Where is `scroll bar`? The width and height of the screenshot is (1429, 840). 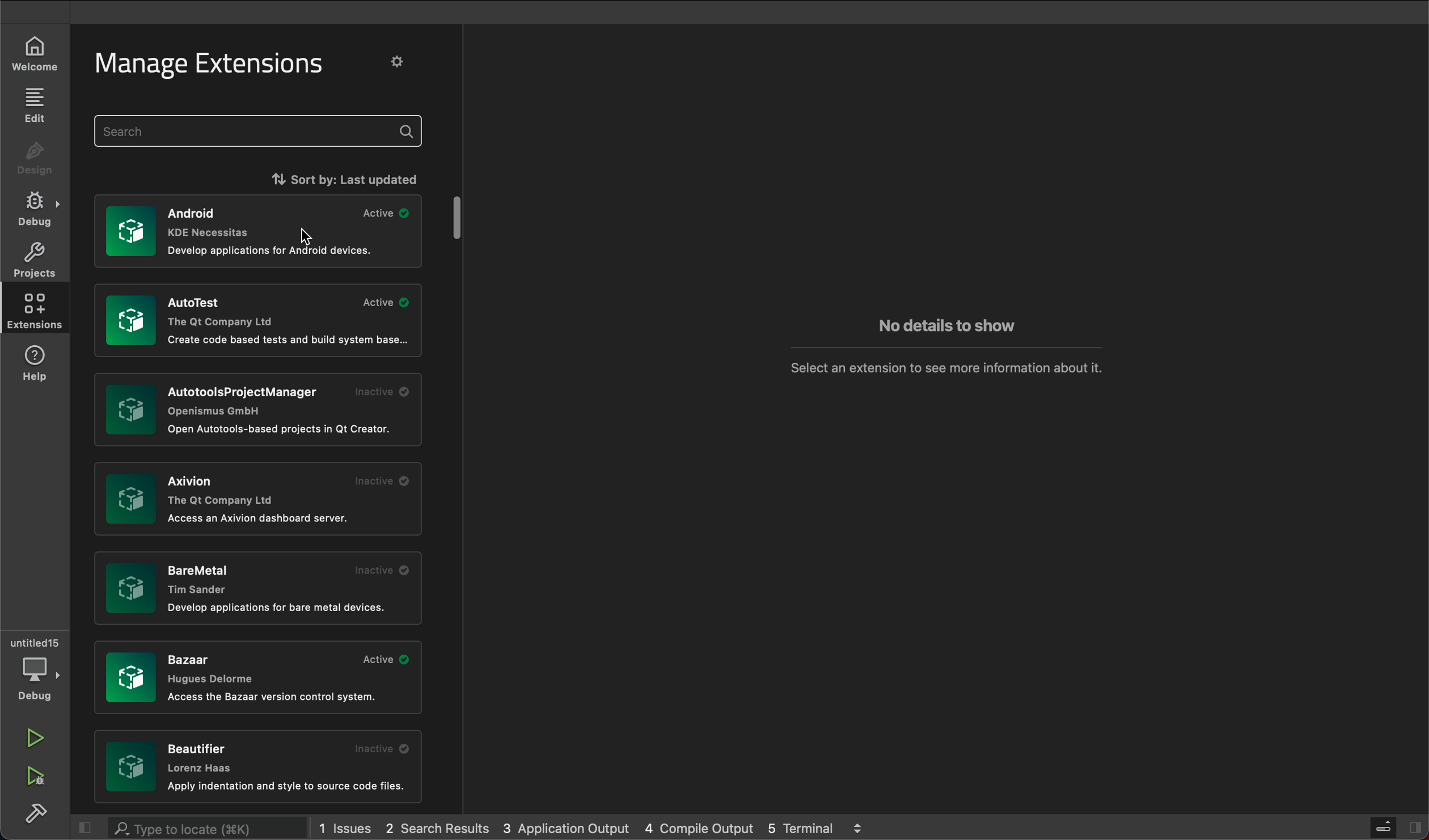 scroll bar is located at coordinates (460, 219).